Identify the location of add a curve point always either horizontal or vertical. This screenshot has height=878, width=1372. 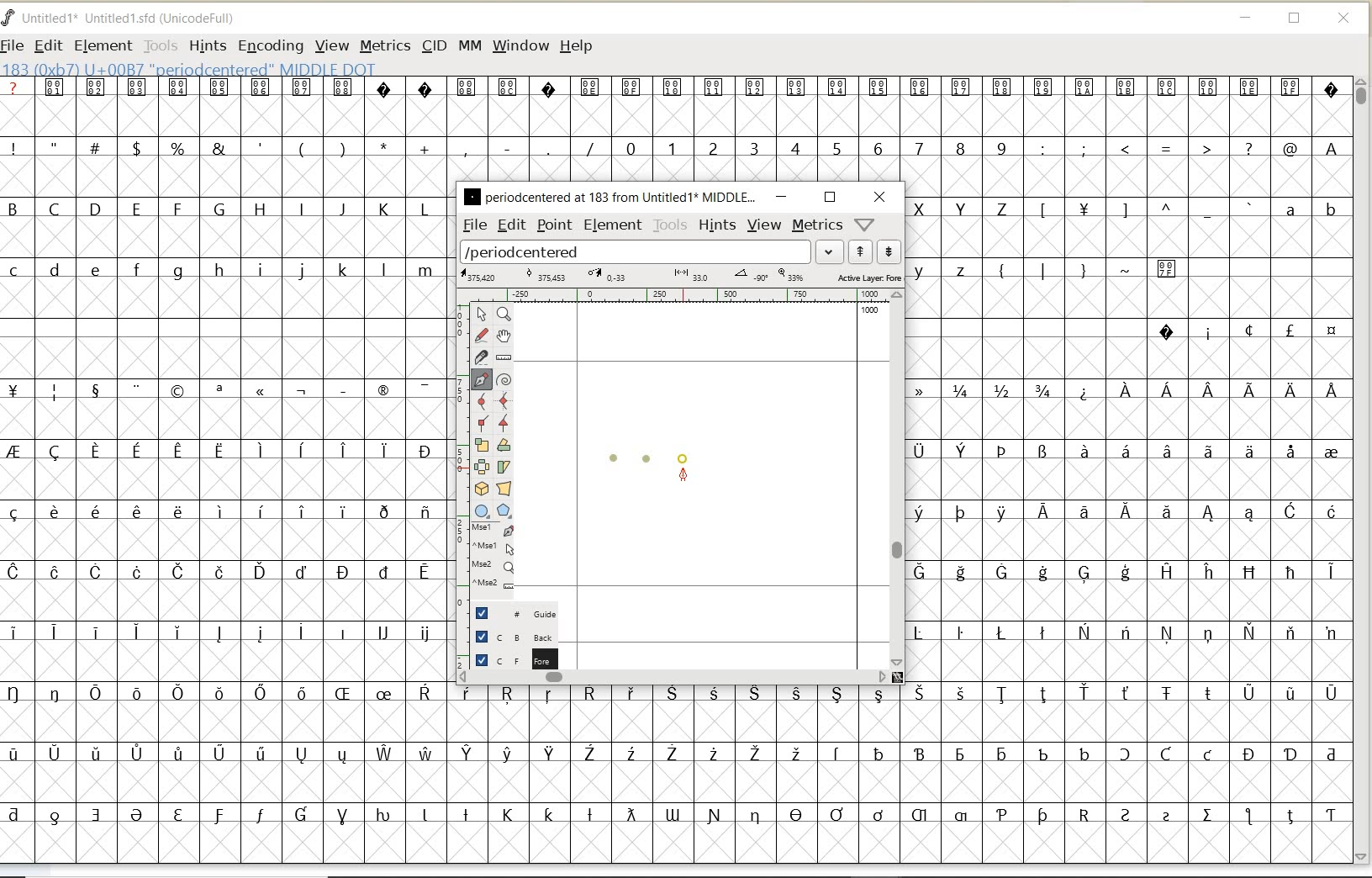
(504, 399).